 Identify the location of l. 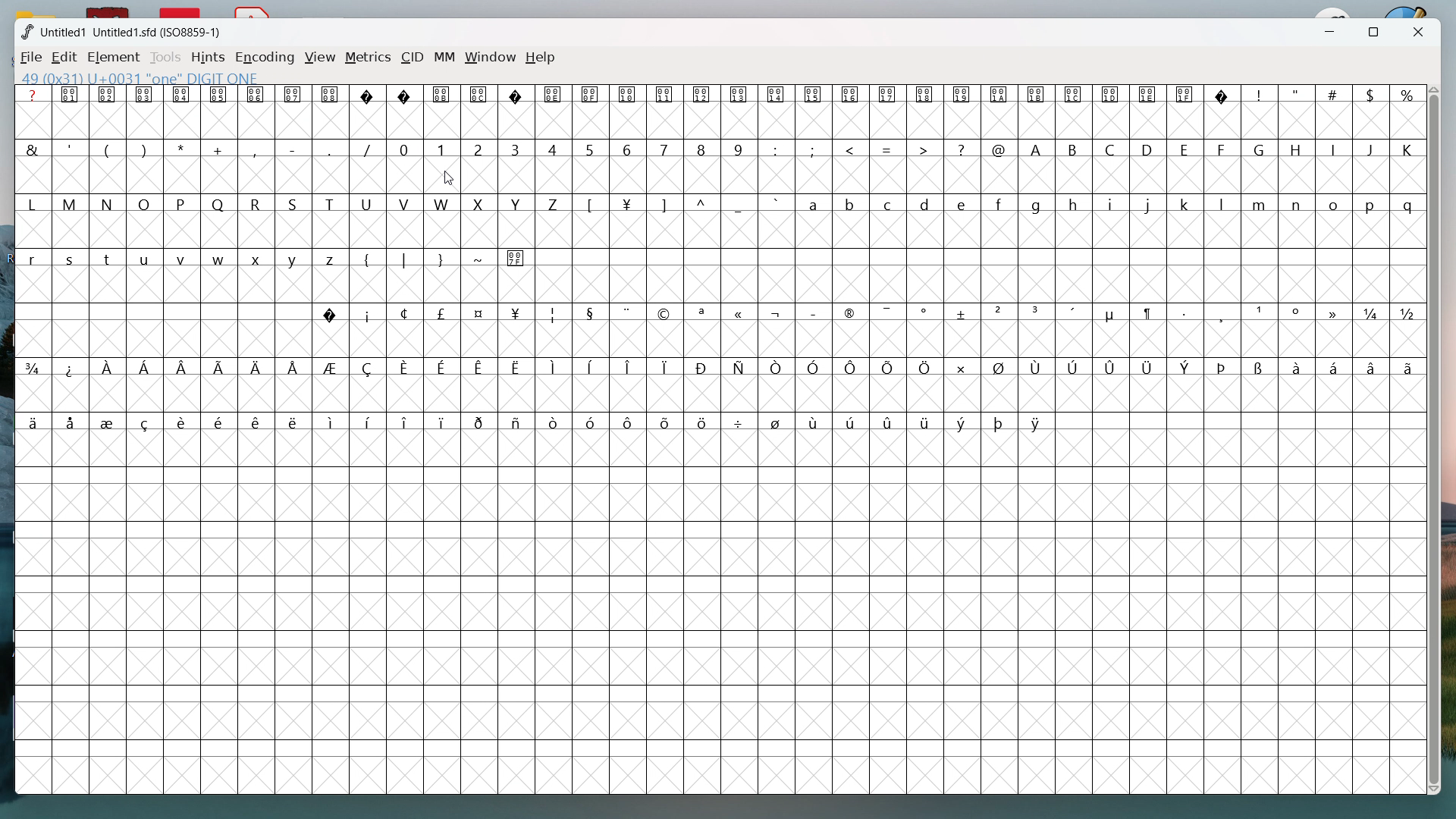
(1222, 203).